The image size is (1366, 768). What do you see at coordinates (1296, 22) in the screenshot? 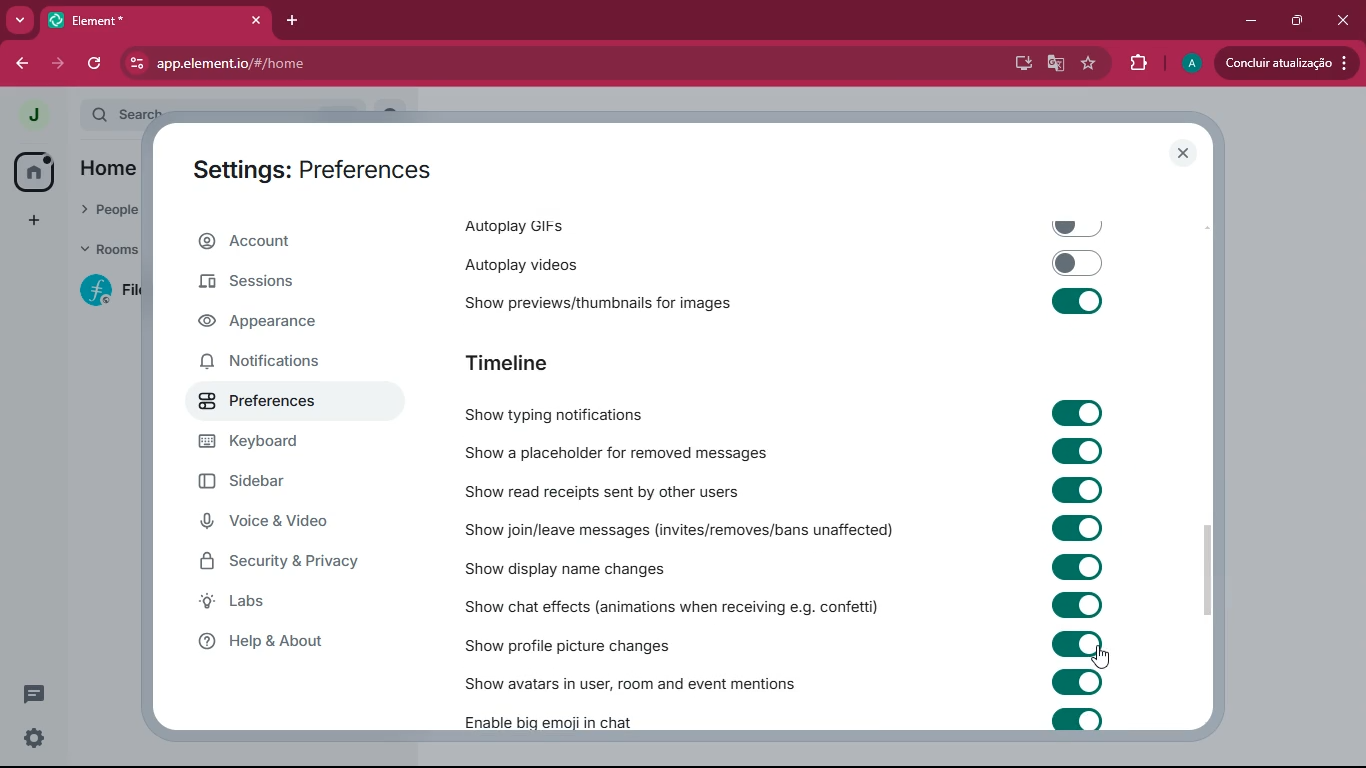
I see `restore down` at bounding box center [1296, 22].